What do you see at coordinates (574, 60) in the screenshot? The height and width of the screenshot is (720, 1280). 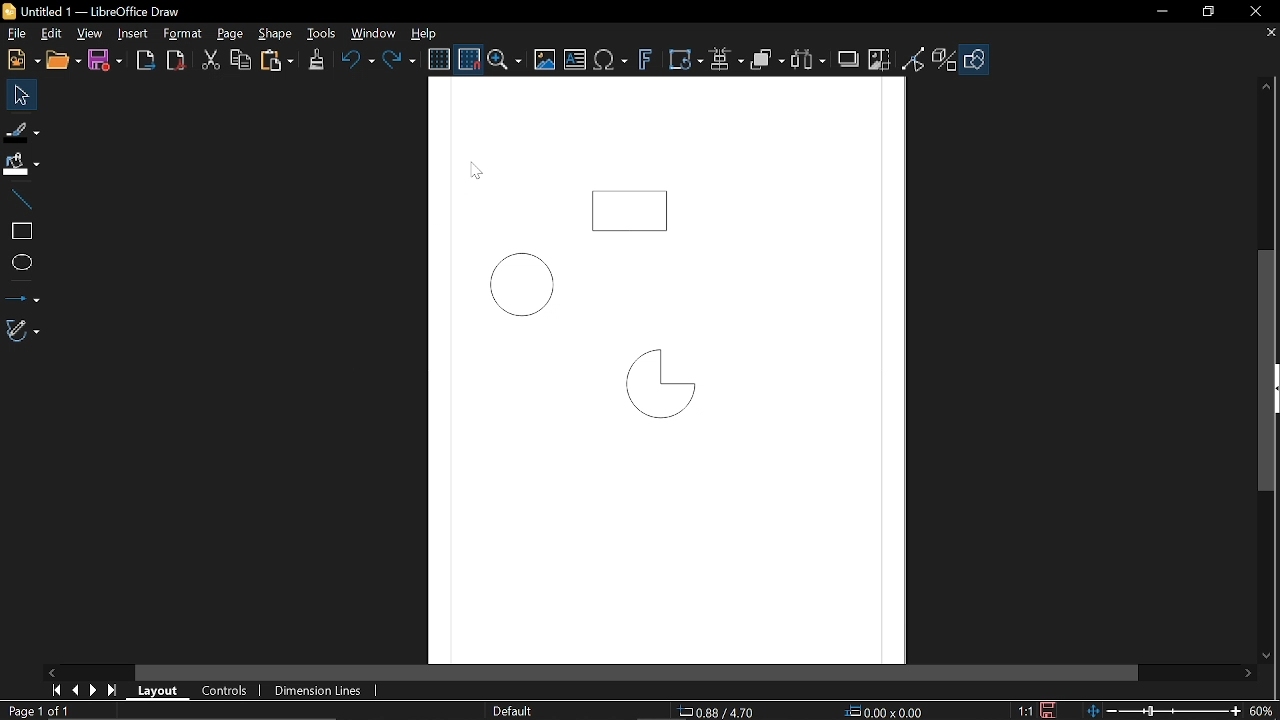 I see `Insert text` at bounding box center [574, 60].